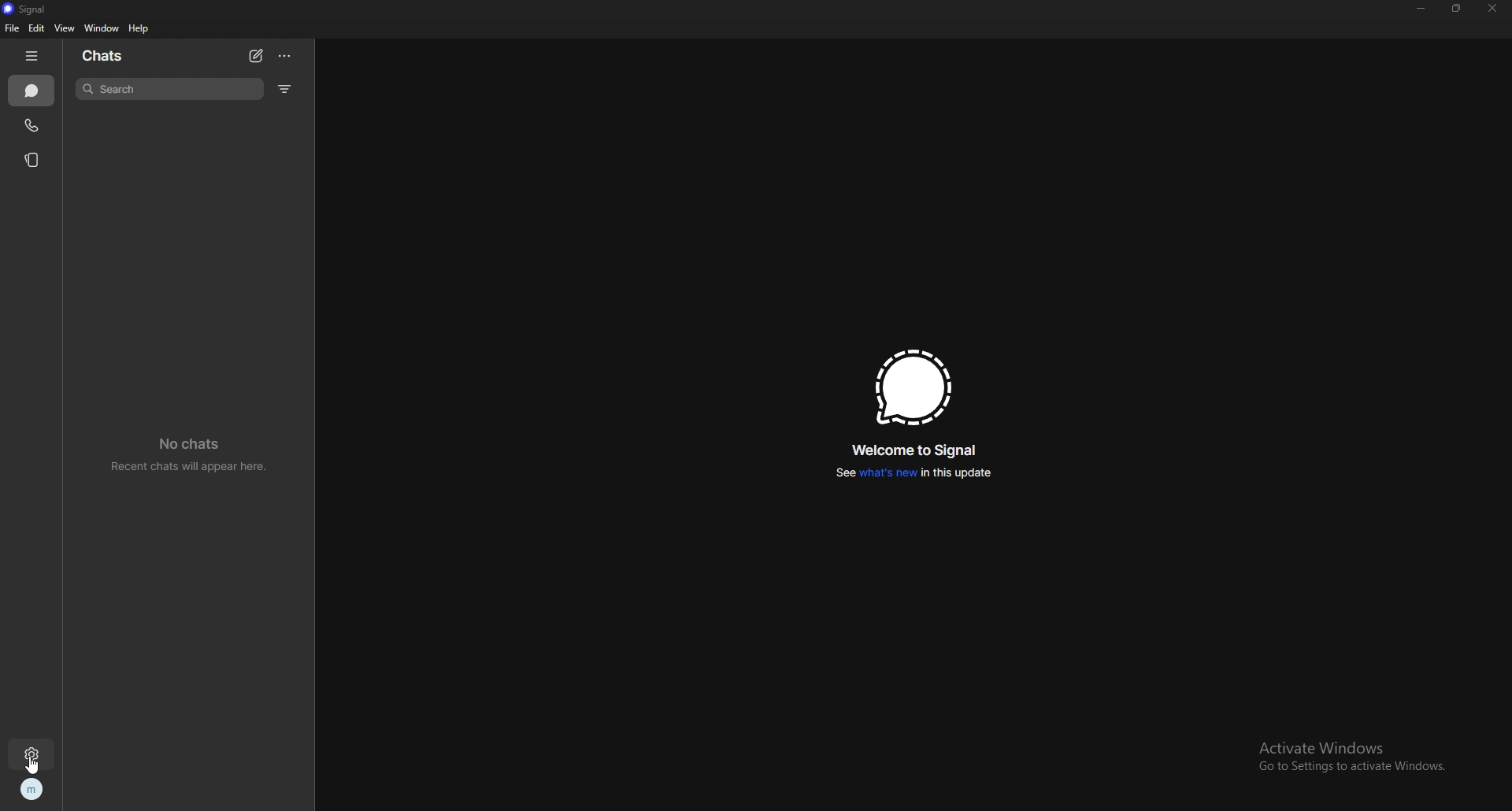 The image size is (1512, 811). What do you see at coordinates (35, 765) in the screenshot?
I see `cursor` at bounding box center [35, 765].